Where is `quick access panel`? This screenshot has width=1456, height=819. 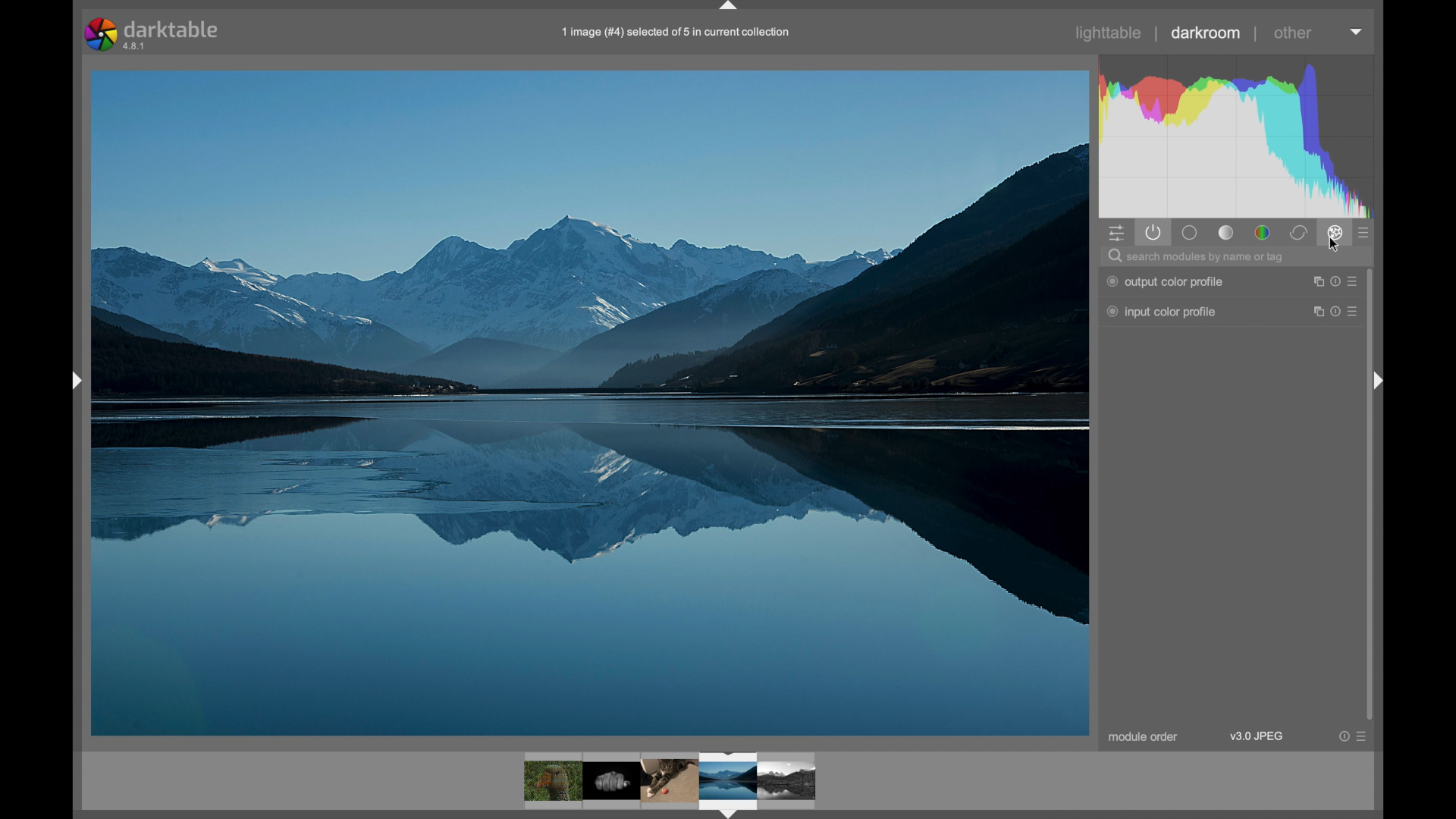
quick access panel is located at coordinates (1118, 234).